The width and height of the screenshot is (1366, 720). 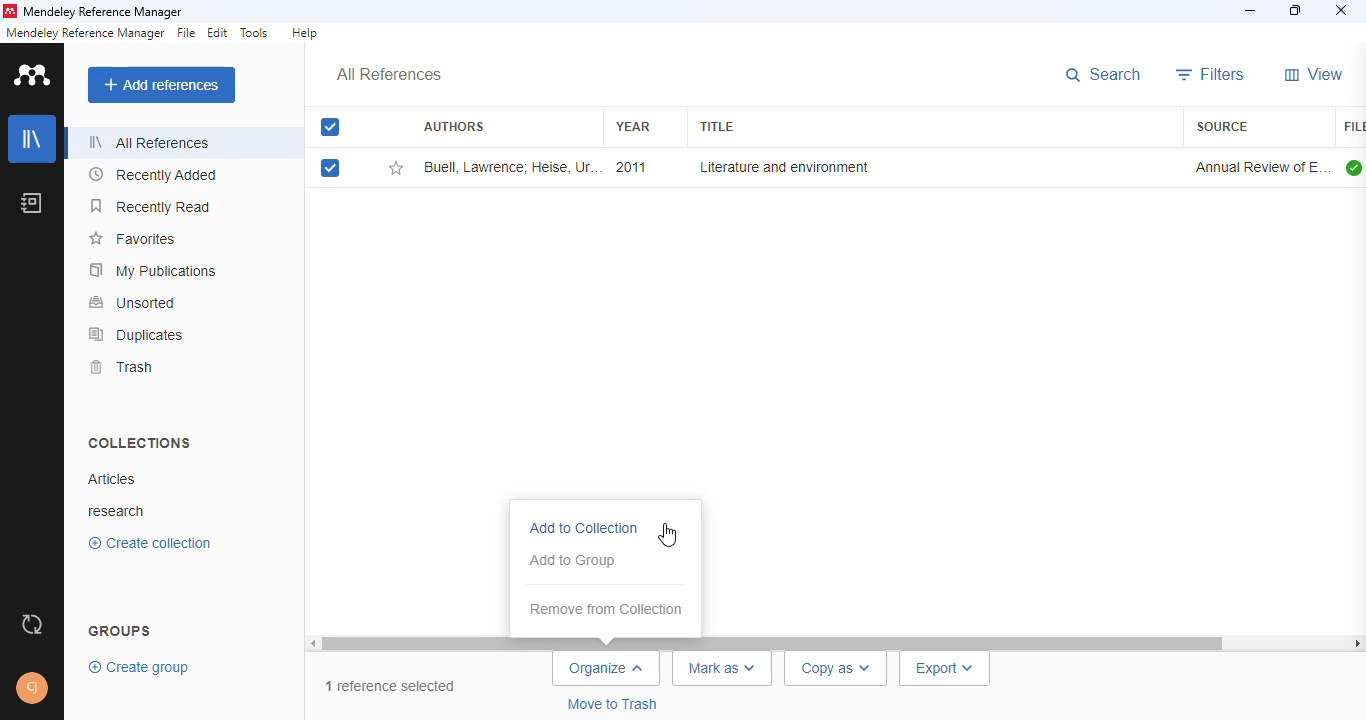 What do you see at coordinates (391, 687) in the screenshot?
I see `1 reference selected` at bounding box center [391, 687].